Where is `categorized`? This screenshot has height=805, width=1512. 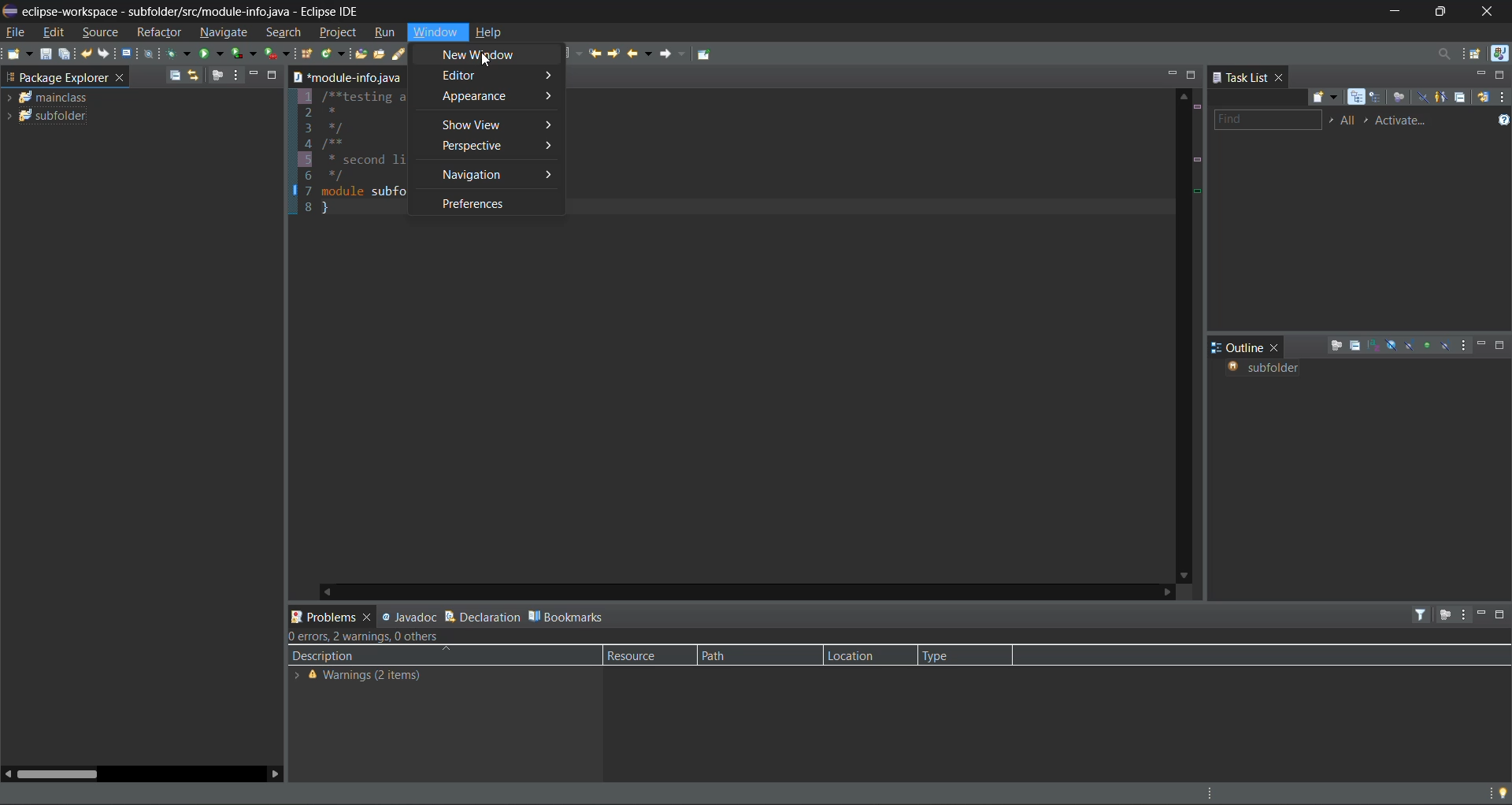 categorized is located at coordinates (1358, 98).